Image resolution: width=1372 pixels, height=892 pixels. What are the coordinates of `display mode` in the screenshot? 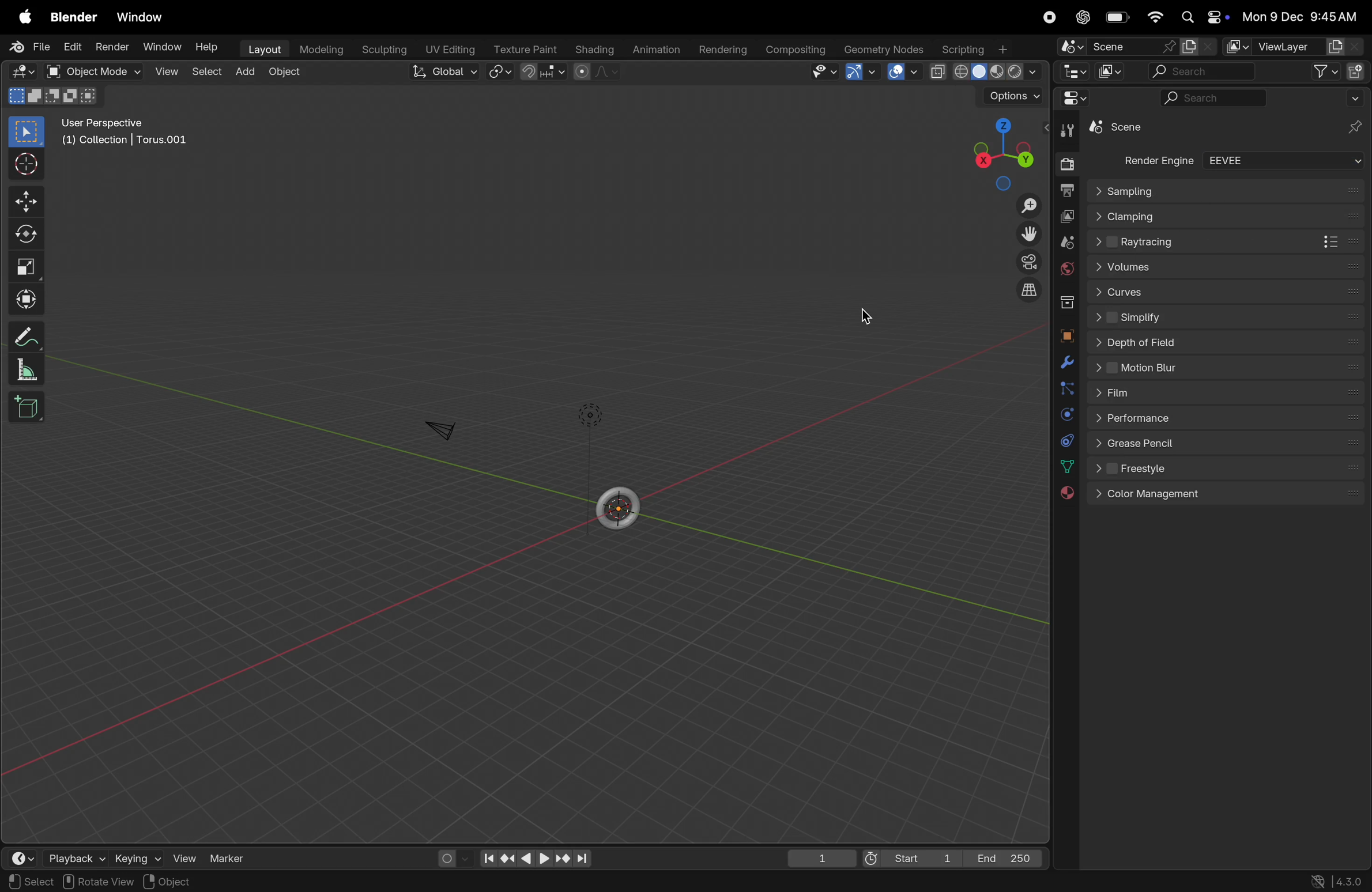 It's located at (1108, 73).